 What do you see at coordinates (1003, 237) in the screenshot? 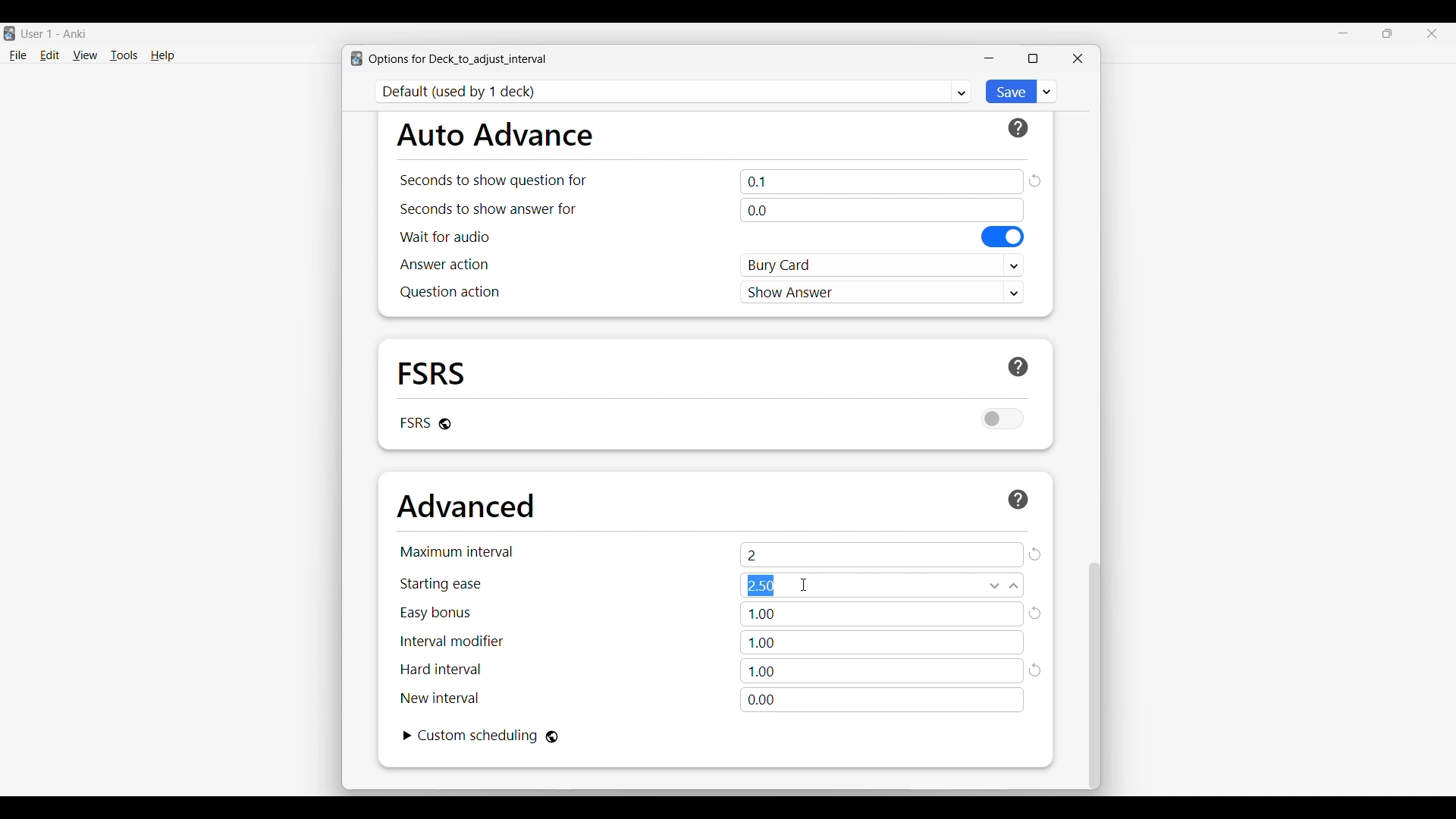
I see `Toggle to wait for audio` at bounding box center [1003, 237].